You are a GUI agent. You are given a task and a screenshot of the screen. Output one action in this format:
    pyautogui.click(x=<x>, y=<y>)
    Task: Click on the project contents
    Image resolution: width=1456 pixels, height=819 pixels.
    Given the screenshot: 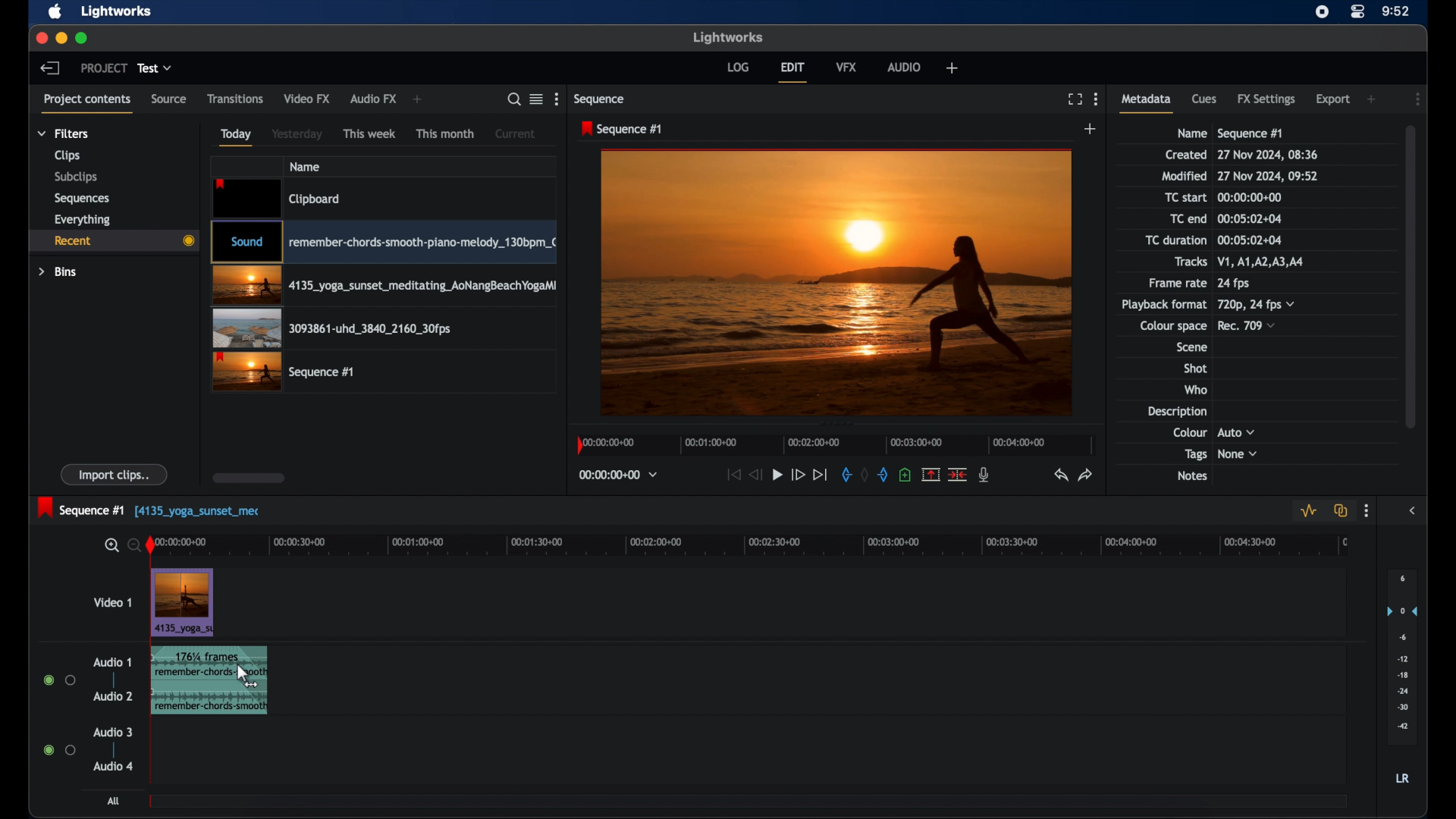 What is the action you would take?
    pyautogui.click(x=87, y=103)
    